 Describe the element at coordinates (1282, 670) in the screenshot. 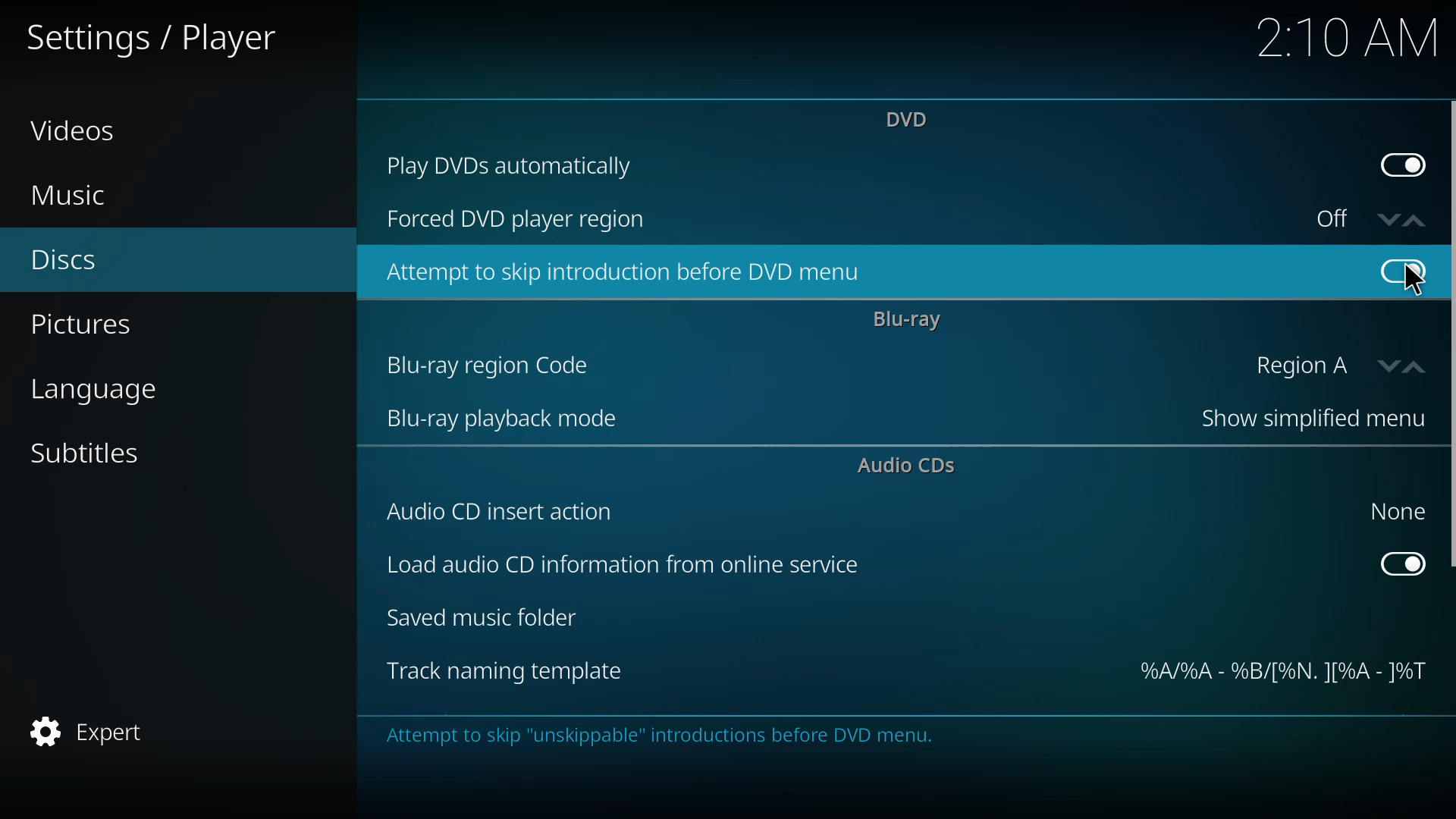

I see `template` at that location.